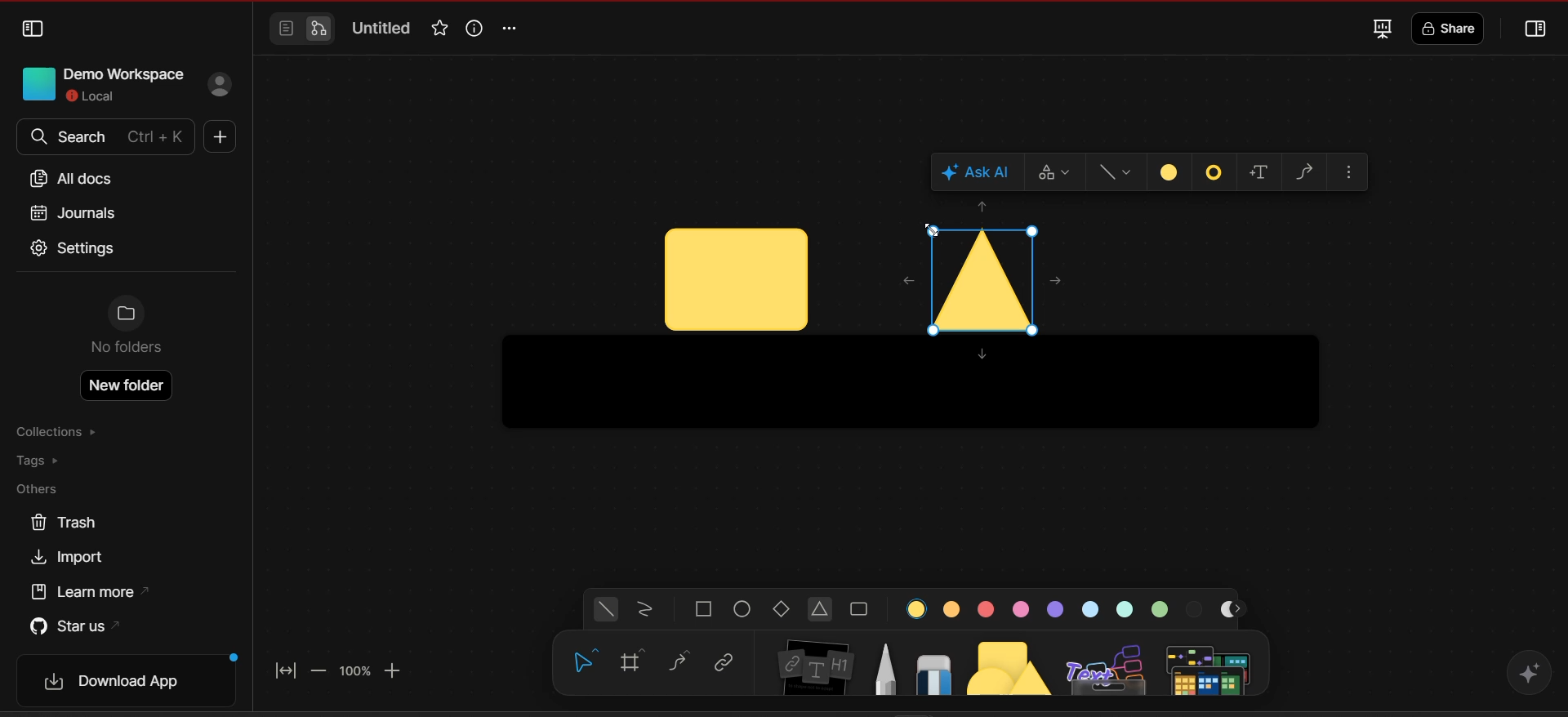  What do you see at coordinates (1263, 173) in the screenshot?
I see `add text` at bounding box center [1263, 173].